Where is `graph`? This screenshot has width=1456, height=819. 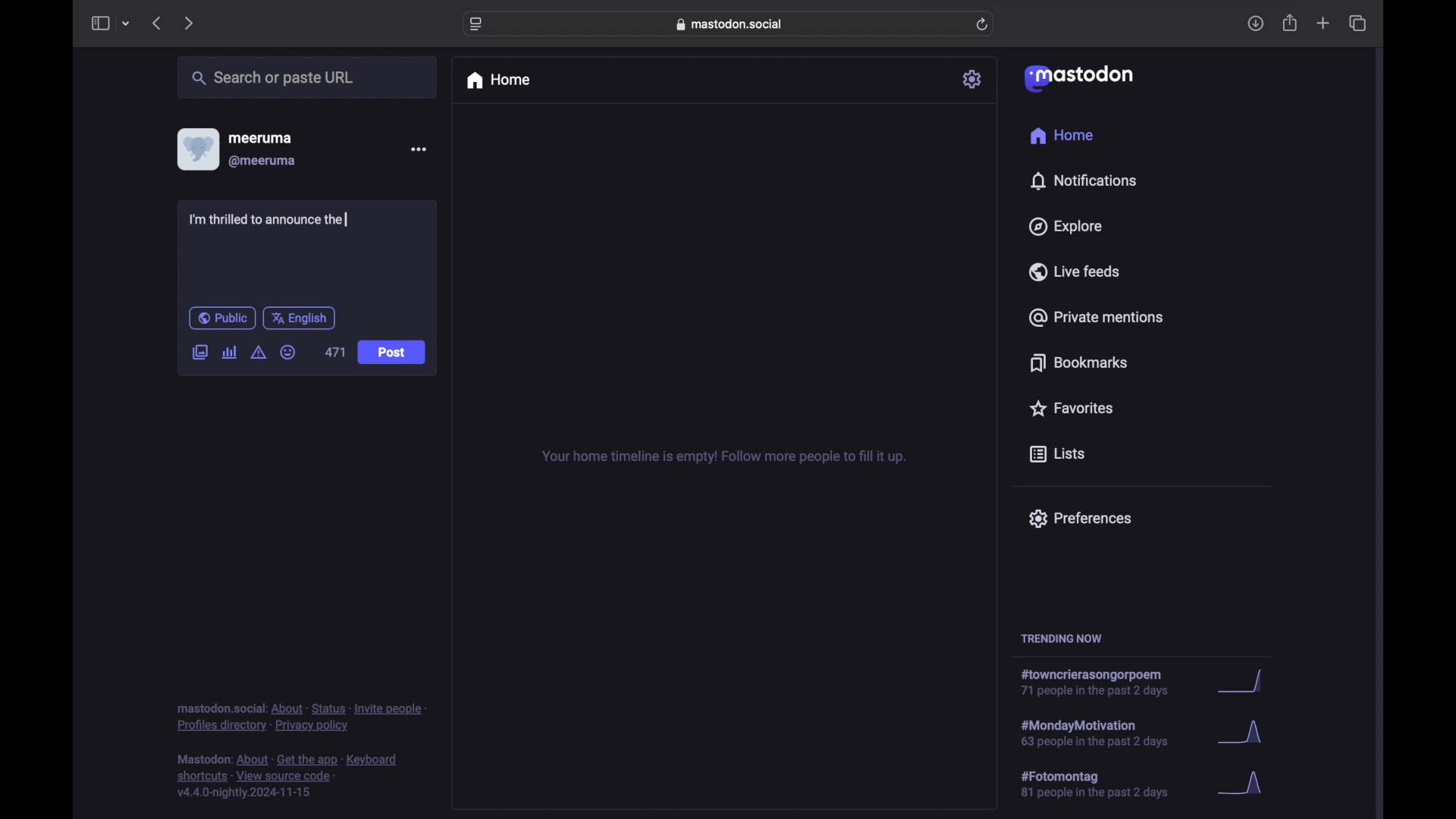
graph is located at coordinates (1244, 734).